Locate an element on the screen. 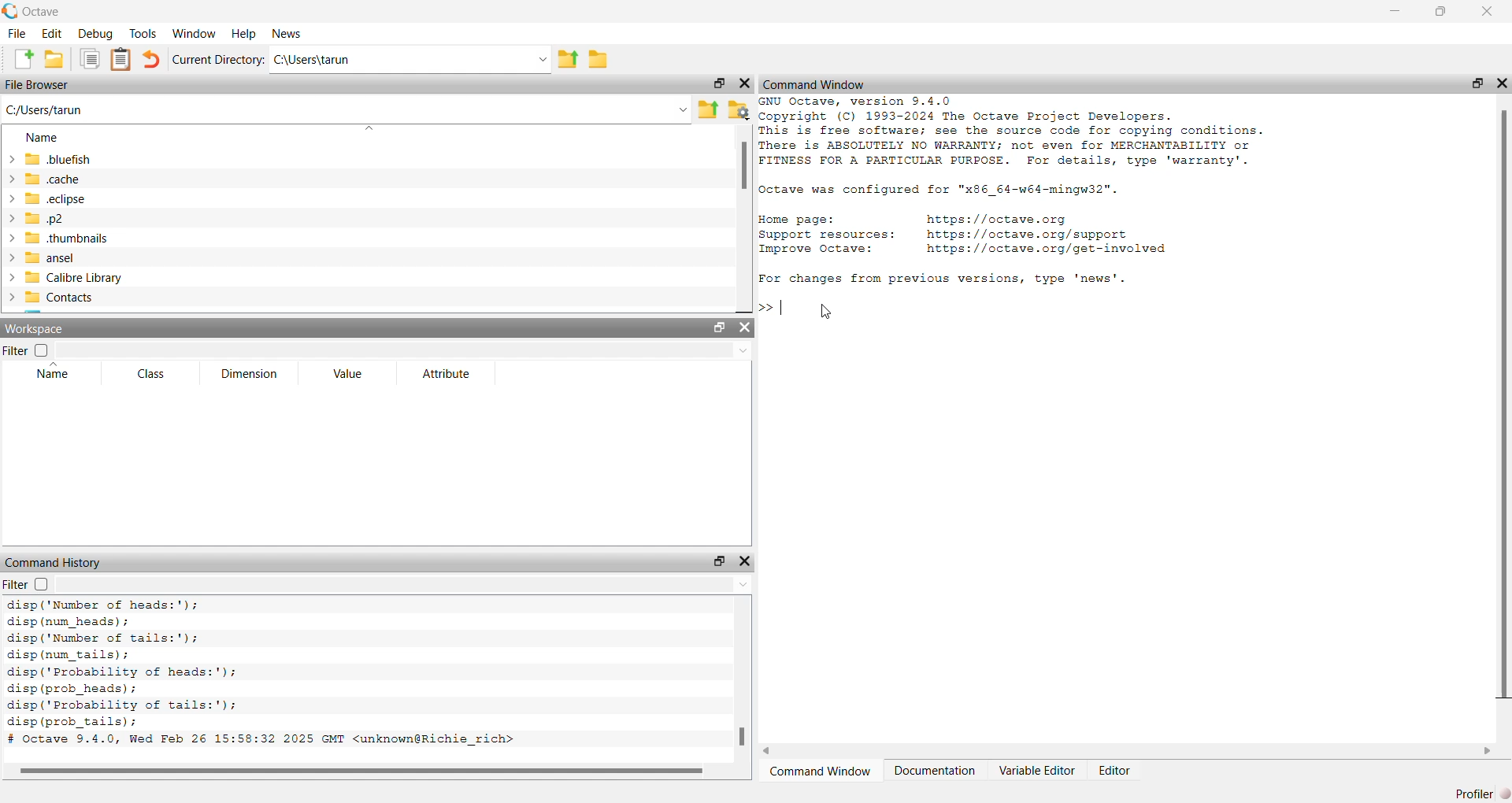 Image resolution: width=1512 pixels, height=803 pixels. vertical scroll bar is located at coordinates (743, 679).